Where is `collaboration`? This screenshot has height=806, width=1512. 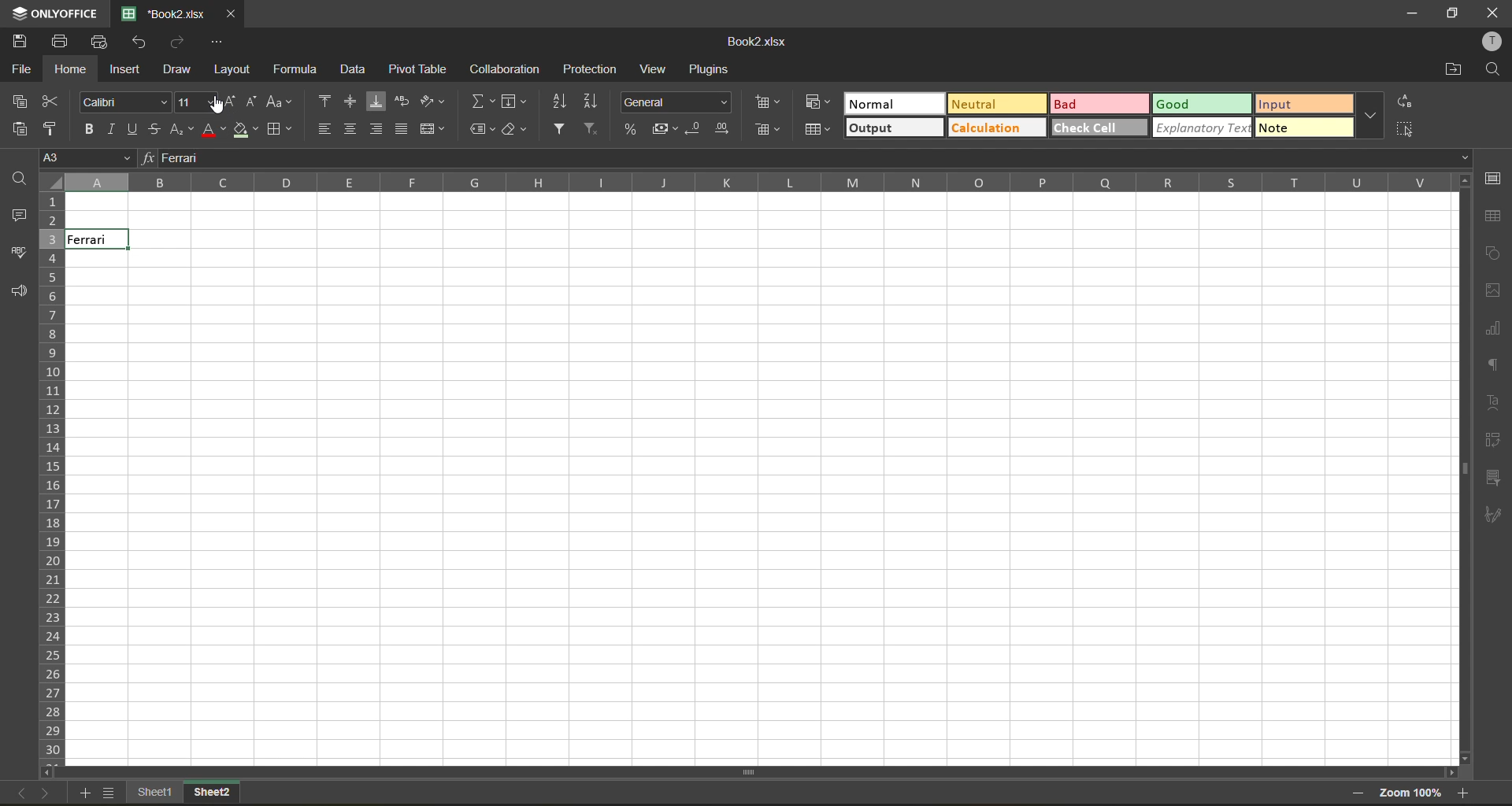 collaboration is located at coordinates (503, 70).